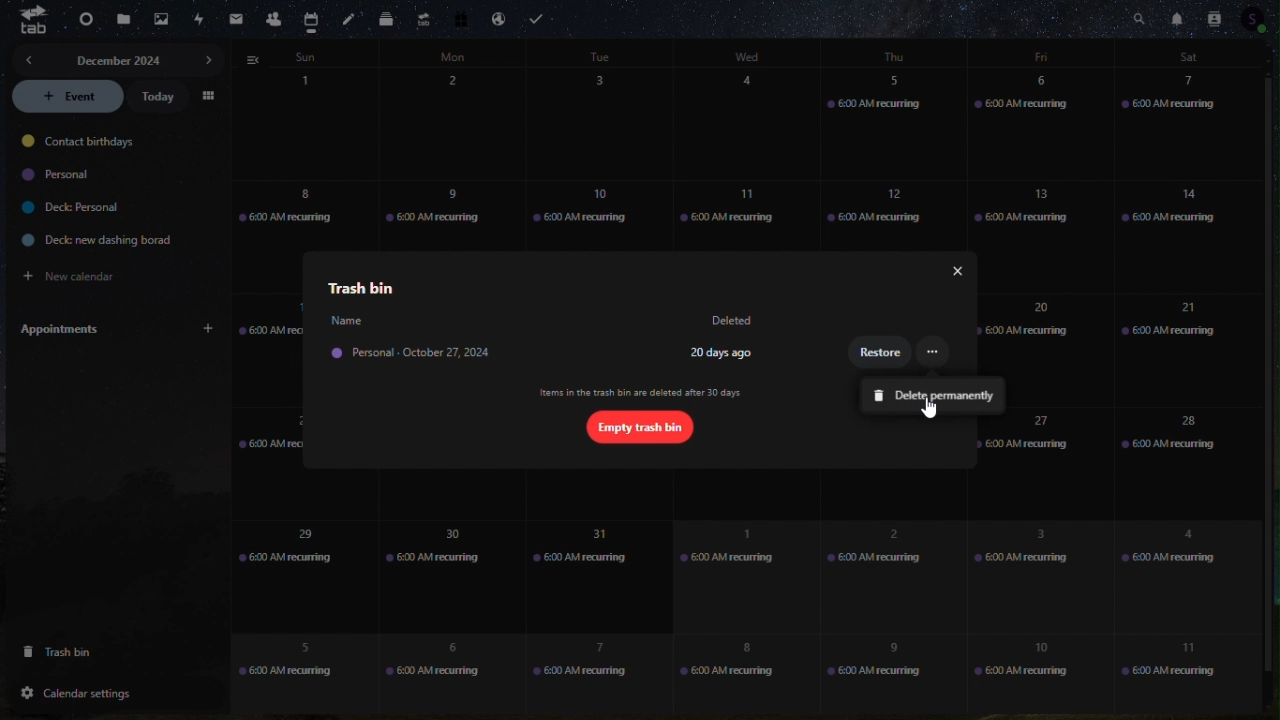 Image resolution: width=1280 pixels, height=720 pixels. What do you see at coordinates (598, 574) in the screenshot?
I see `31` at bounding box center [598, 574].